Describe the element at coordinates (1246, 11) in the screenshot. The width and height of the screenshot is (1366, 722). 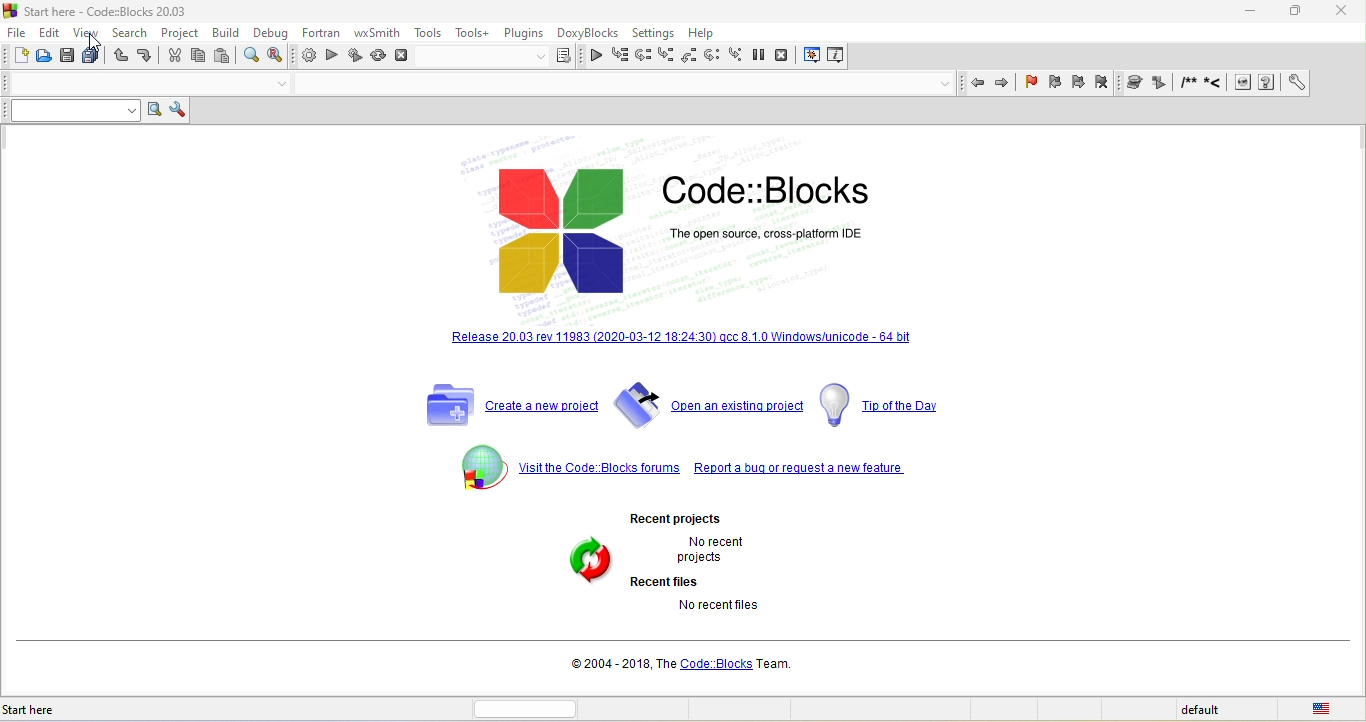
I see `minimize` at that location.